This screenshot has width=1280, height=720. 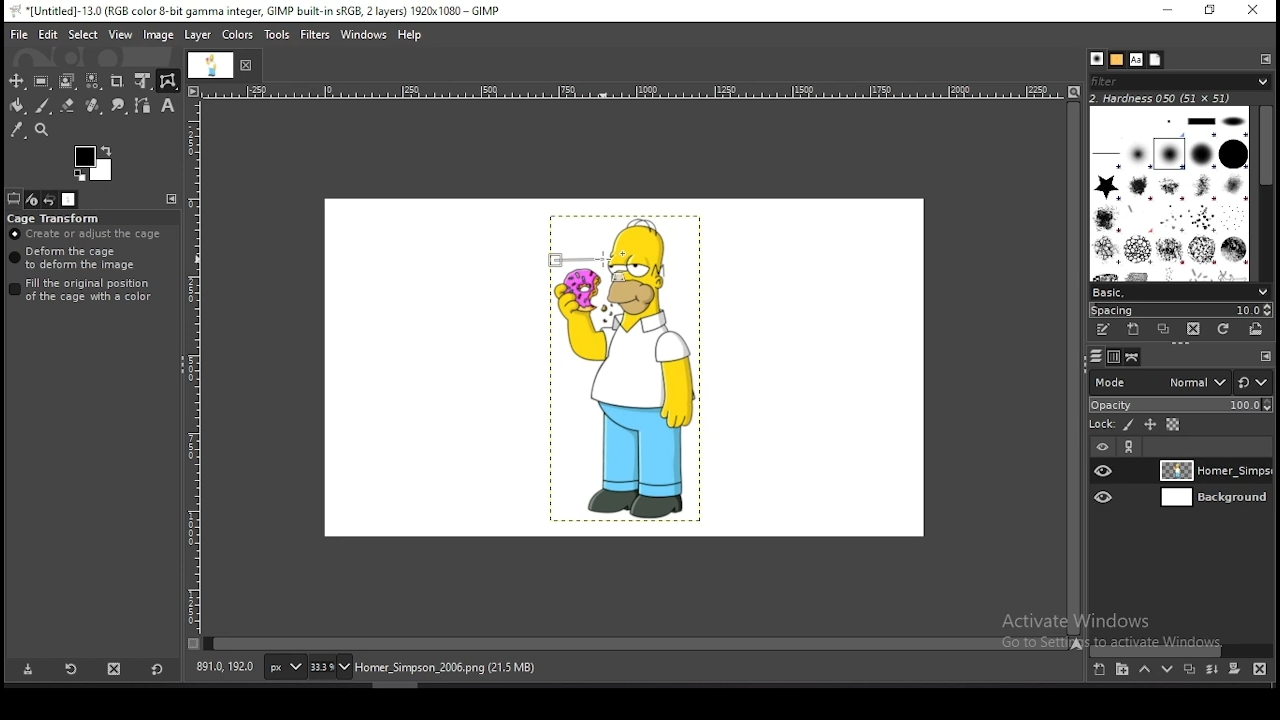 What do you see at coordinates (199, 36) in the screenshot?
I see `layer` at bounding box center [199, 36].